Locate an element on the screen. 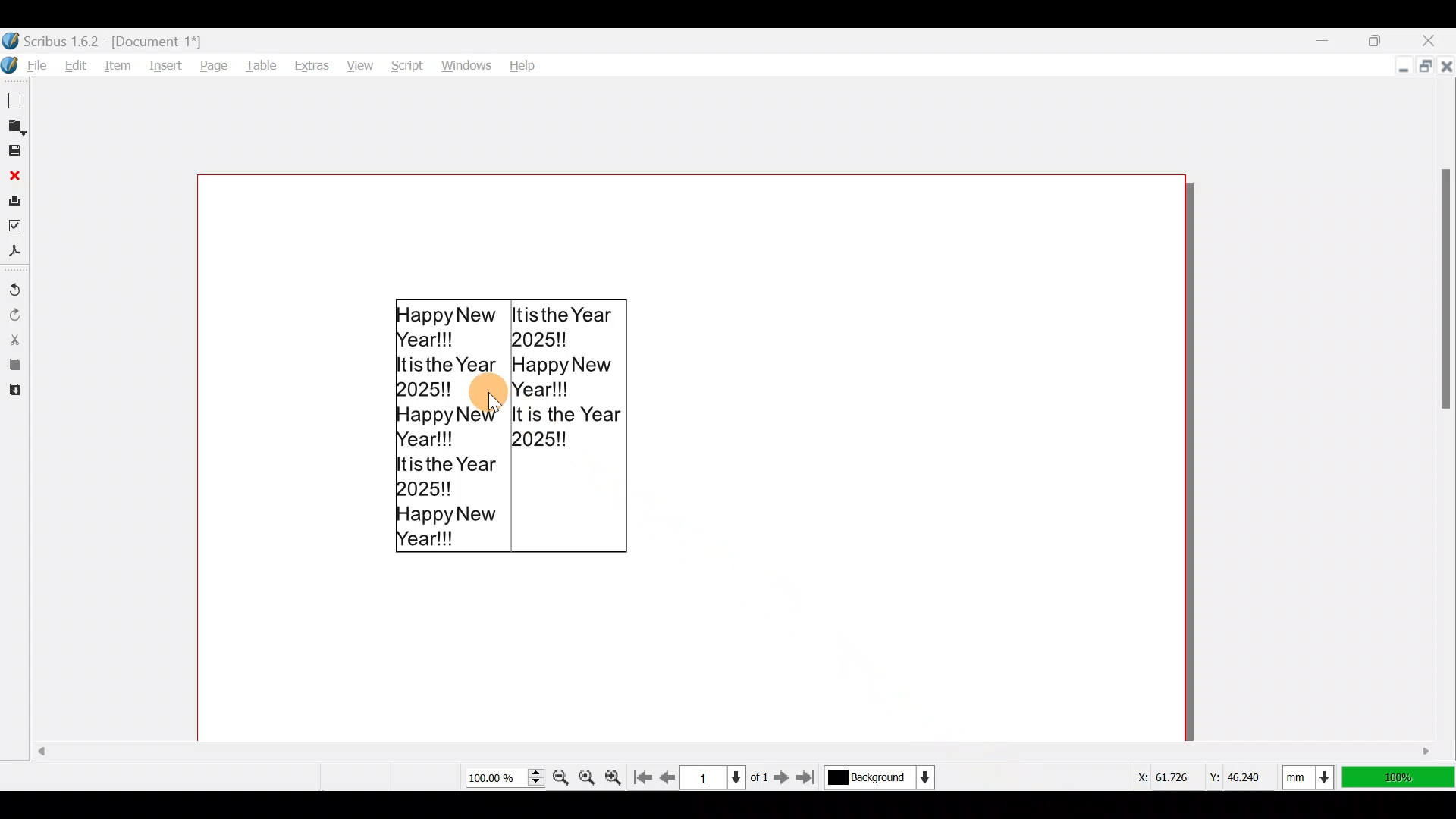 The height and width of the screenshot is (819, 1456). 100% zoom ratio is located at coordinates (1401, 777).